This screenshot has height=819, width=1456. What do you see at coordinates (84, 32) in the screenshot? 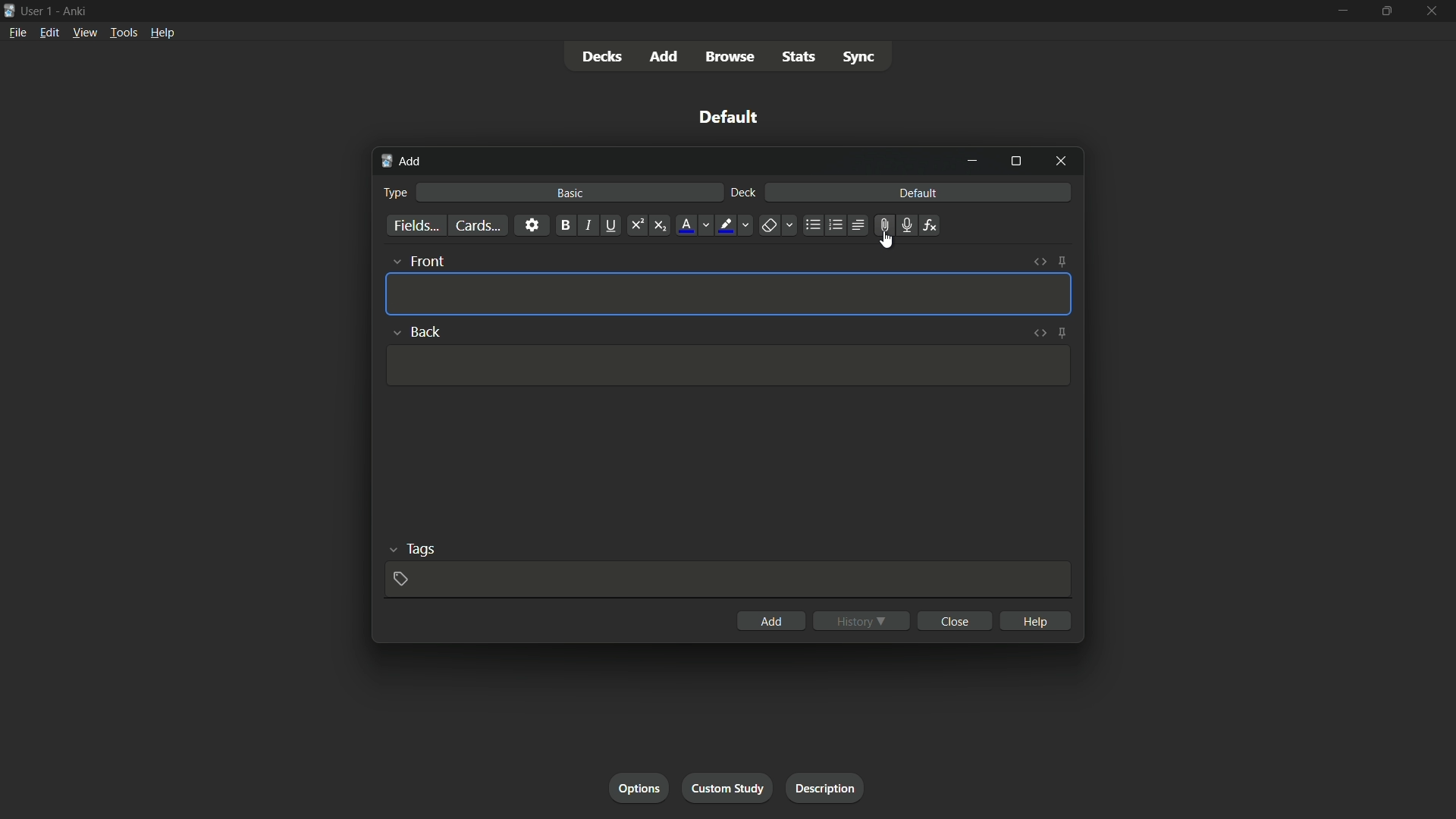
I see `view menu` at bounding box center [84, 32].